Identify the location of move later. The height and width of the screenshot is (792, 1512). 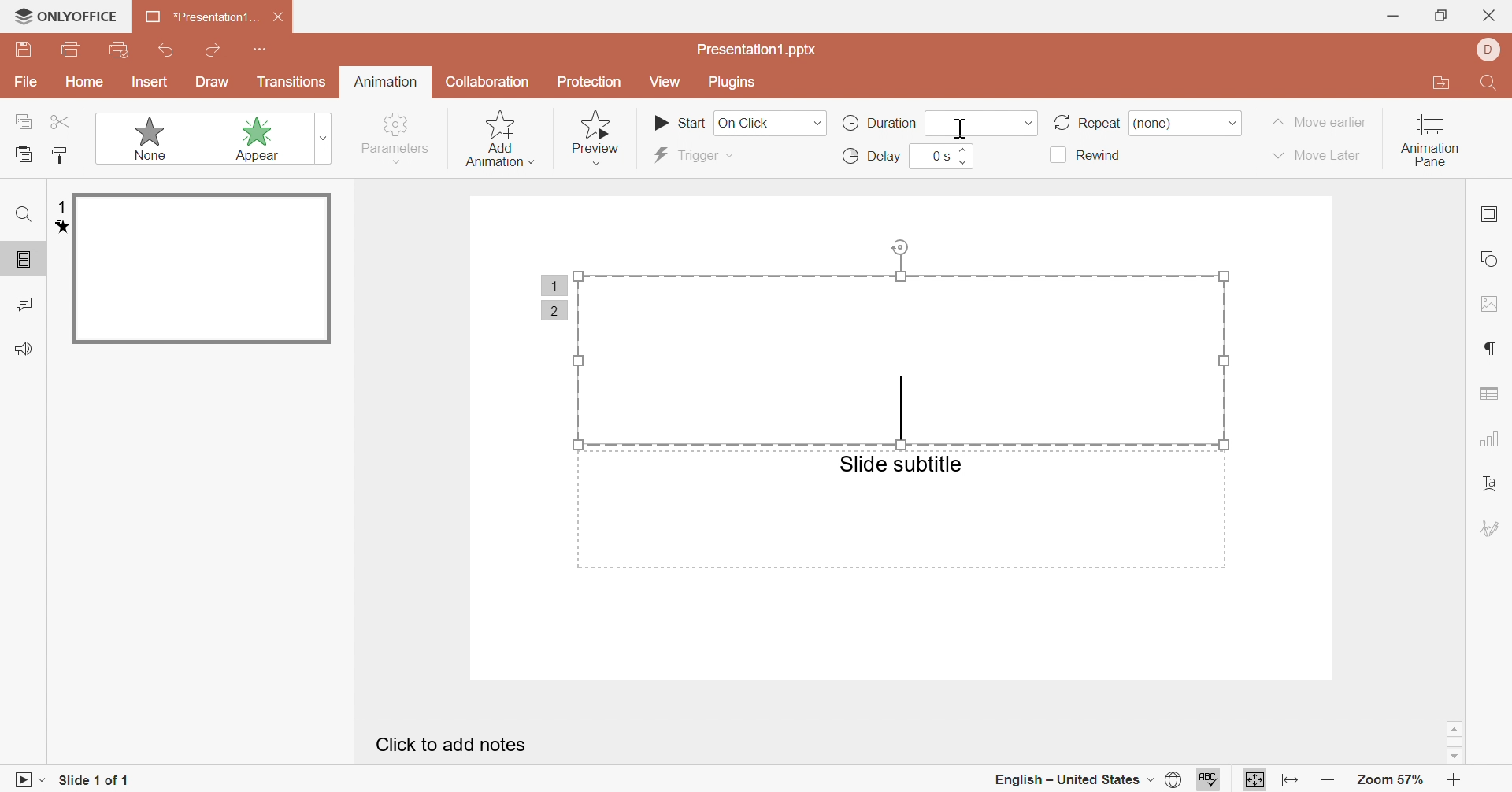
(1317, 155).